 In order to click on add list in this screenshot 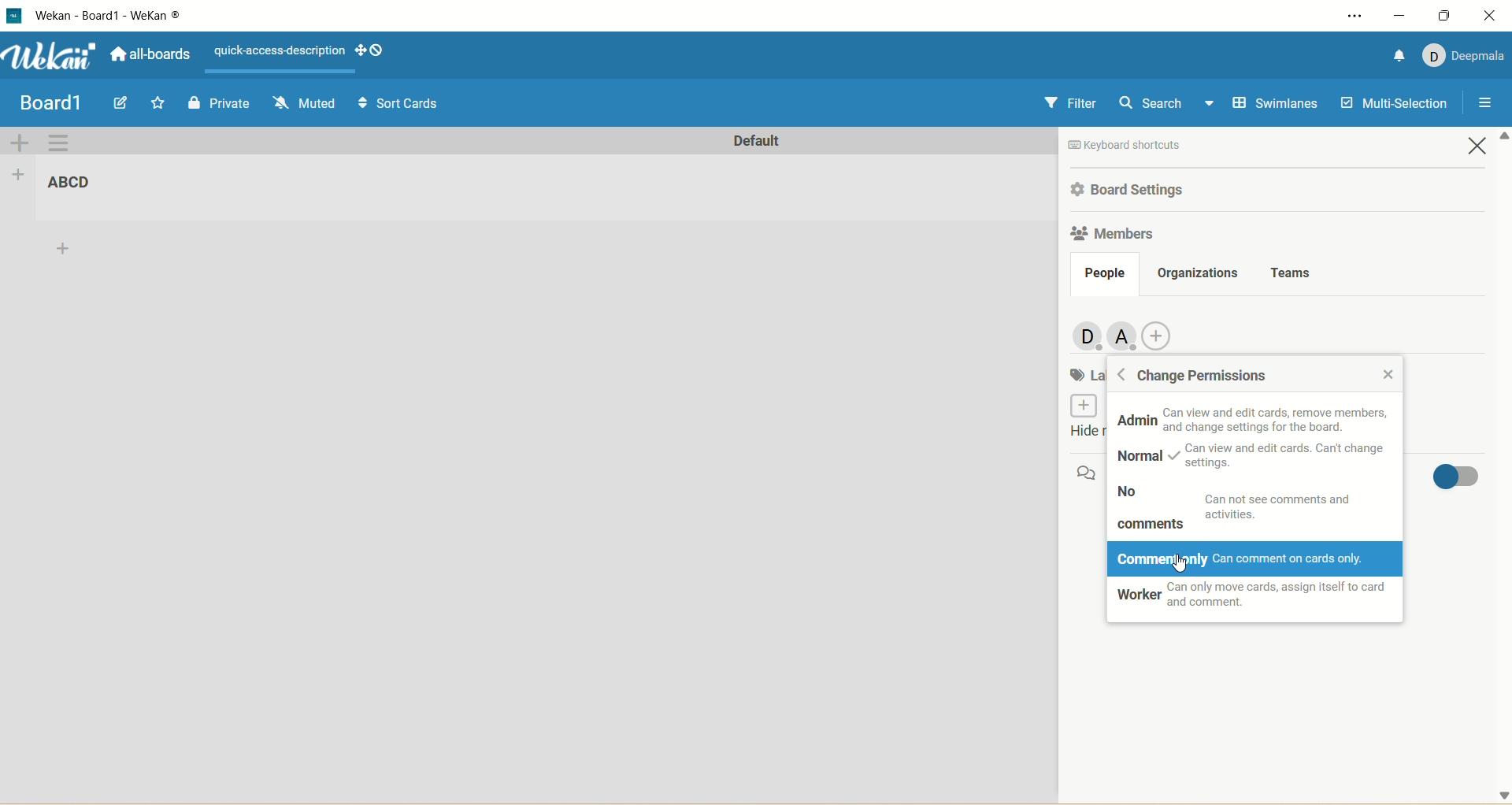, I will do `click(18, 175)`.